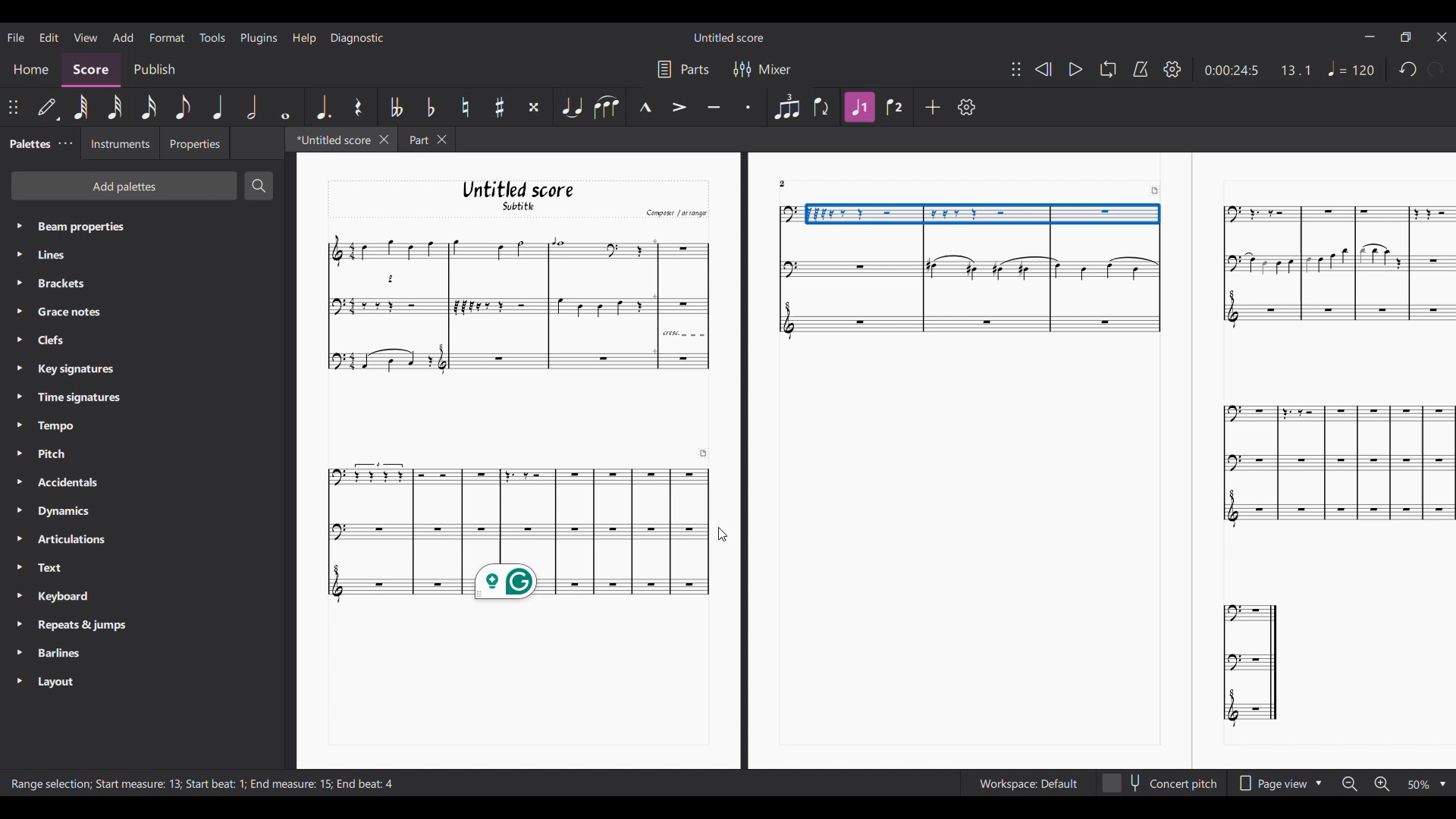 Image resolution: width=1456 pixels, height=819 pixels. Describe the element at coordinates (360, 107) in the screenshot. I see `Rest` at that location.